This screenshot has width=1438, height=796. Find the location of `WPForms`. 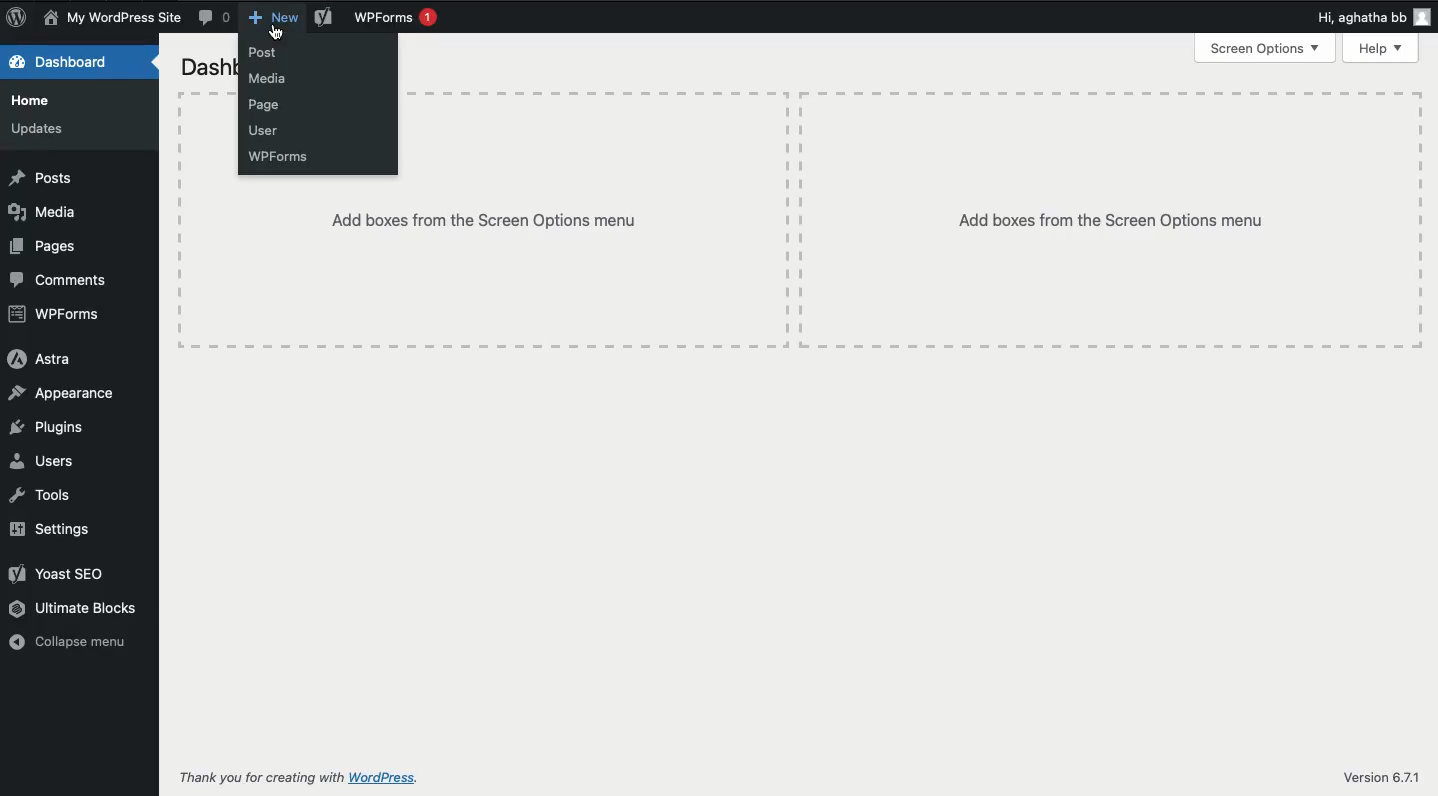

WPForms is located at coordinates (55, 316).